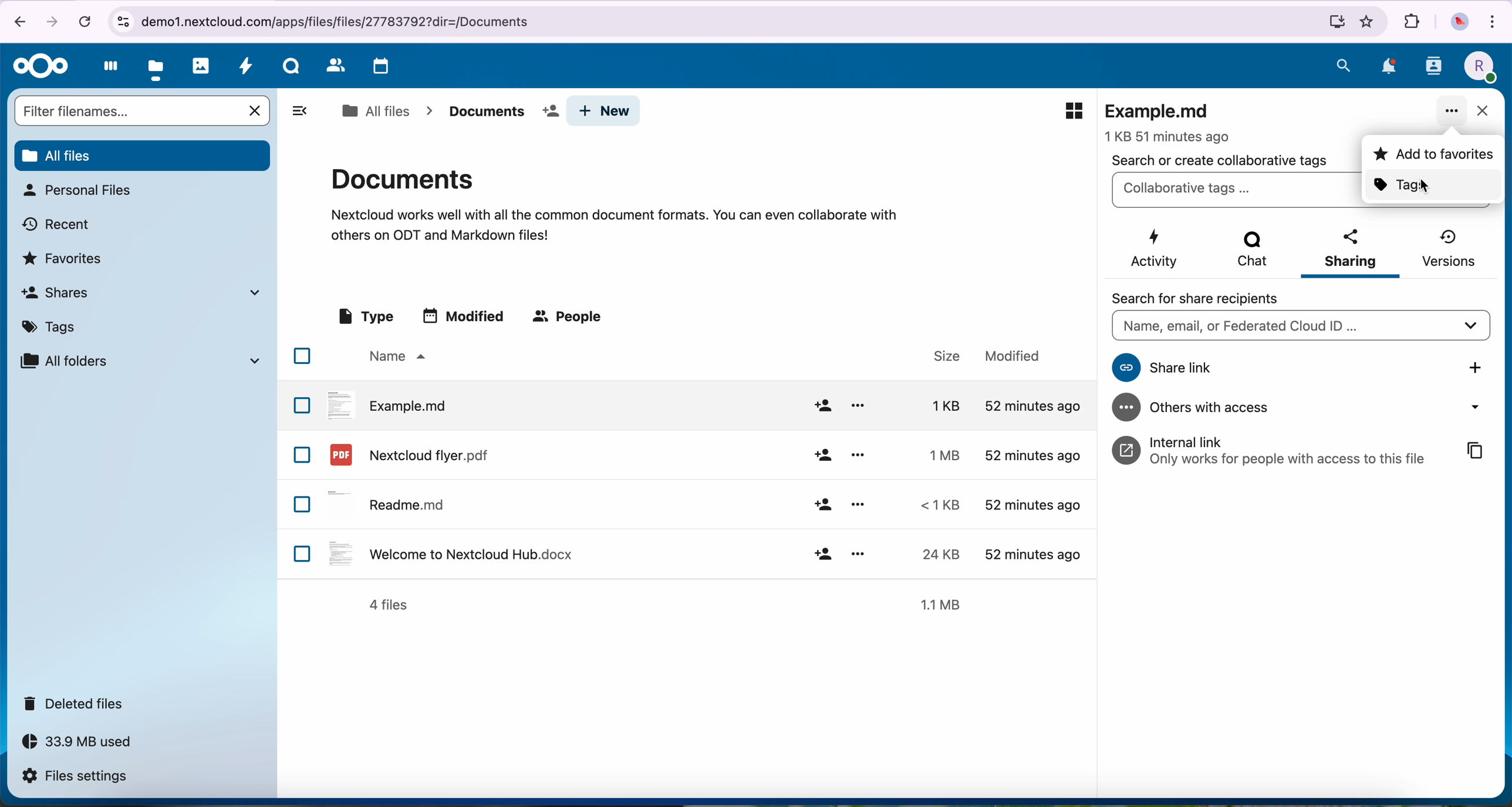 The image size is (1512, 807). I want to click on cursor, so click(1456, 121).